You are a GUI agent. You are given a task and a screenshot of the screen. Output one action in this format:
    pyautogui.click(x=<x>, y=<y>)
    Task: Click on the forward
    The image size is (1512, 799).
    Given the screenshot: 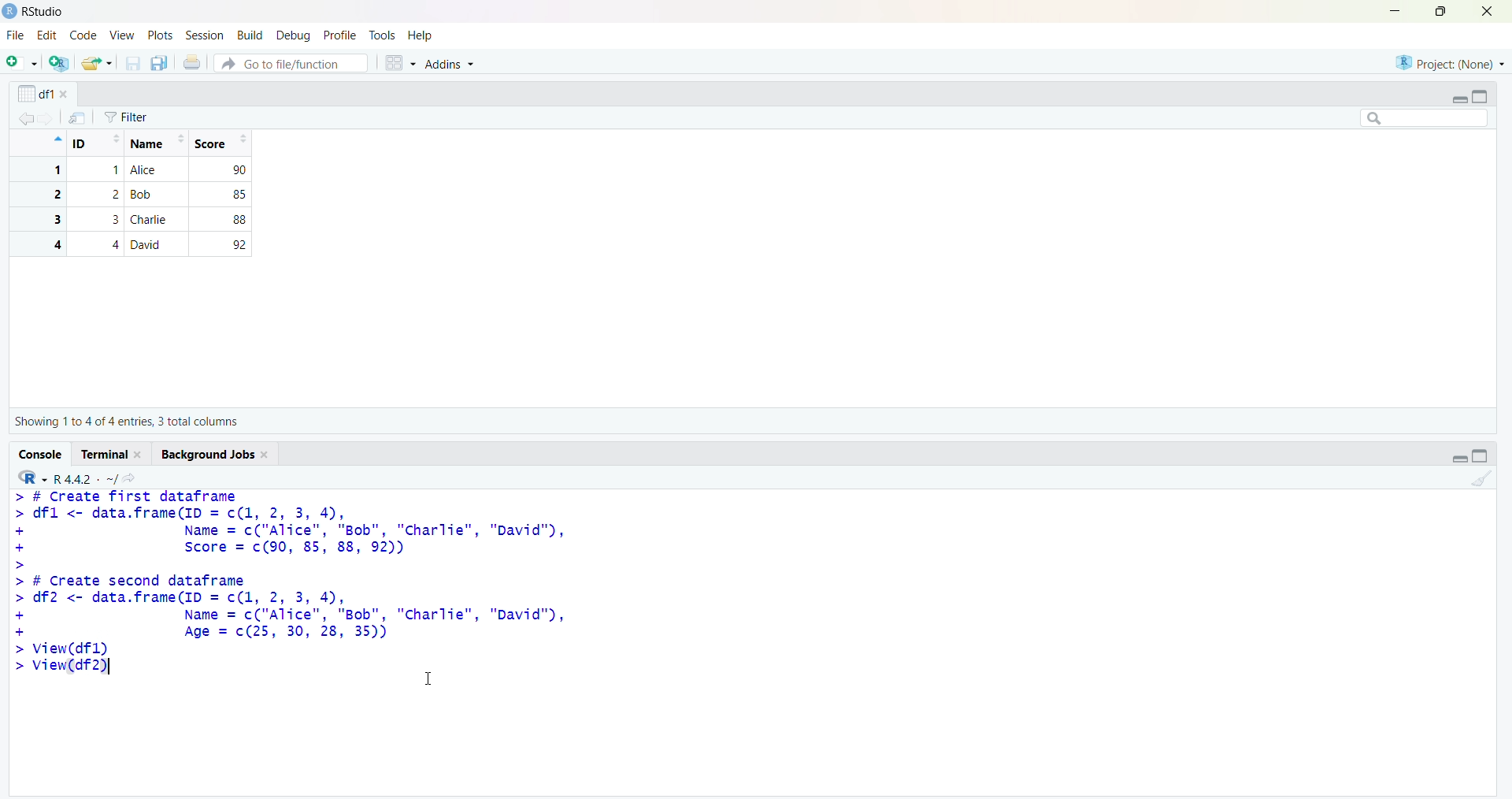 What is the action you would take?
    pyautogui.click(x=47, y=119)
    